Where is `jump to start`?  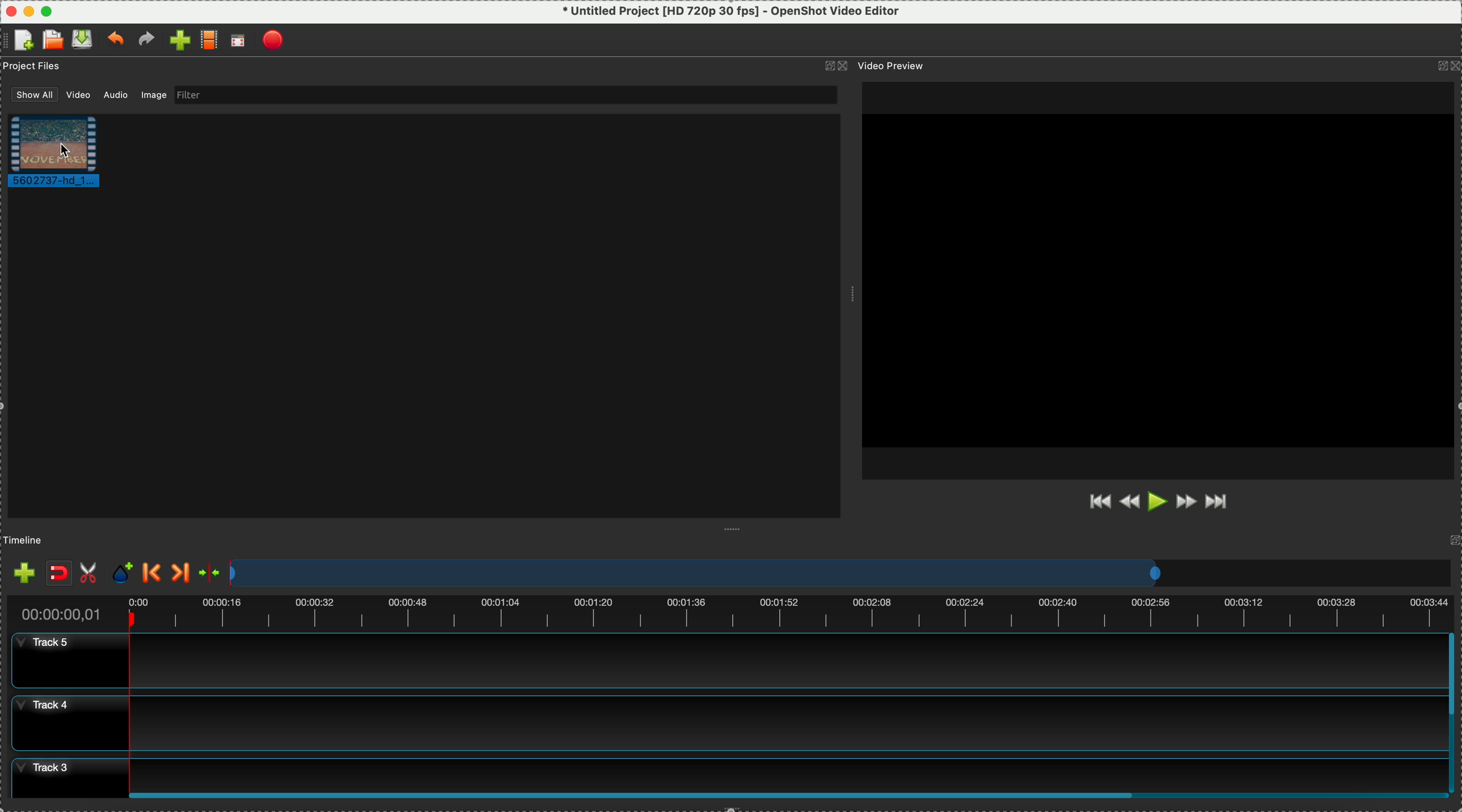 jump to start is located at coordinates (1098, 500).